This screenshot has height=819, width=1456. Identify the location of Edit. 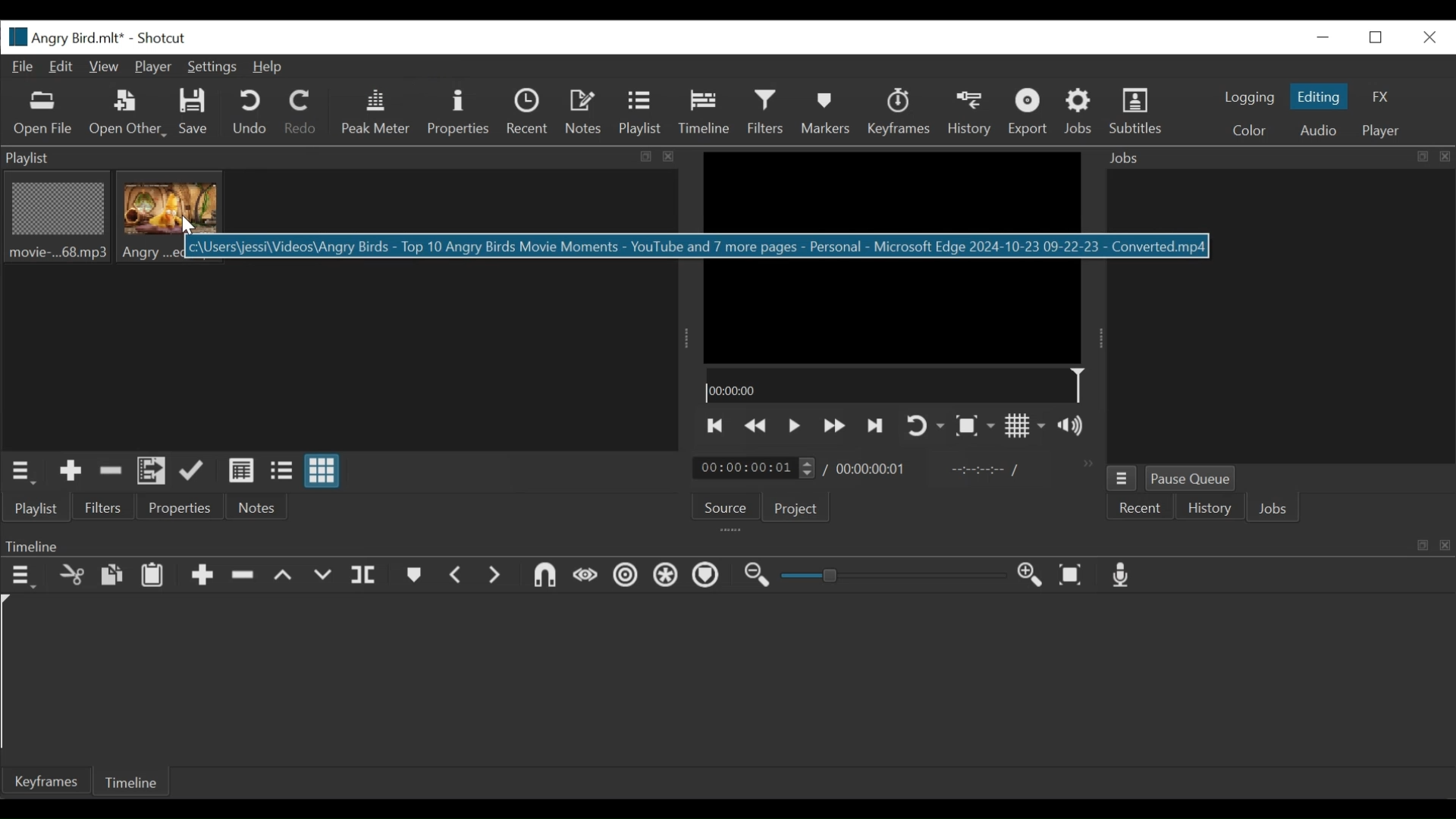
(63, 67).